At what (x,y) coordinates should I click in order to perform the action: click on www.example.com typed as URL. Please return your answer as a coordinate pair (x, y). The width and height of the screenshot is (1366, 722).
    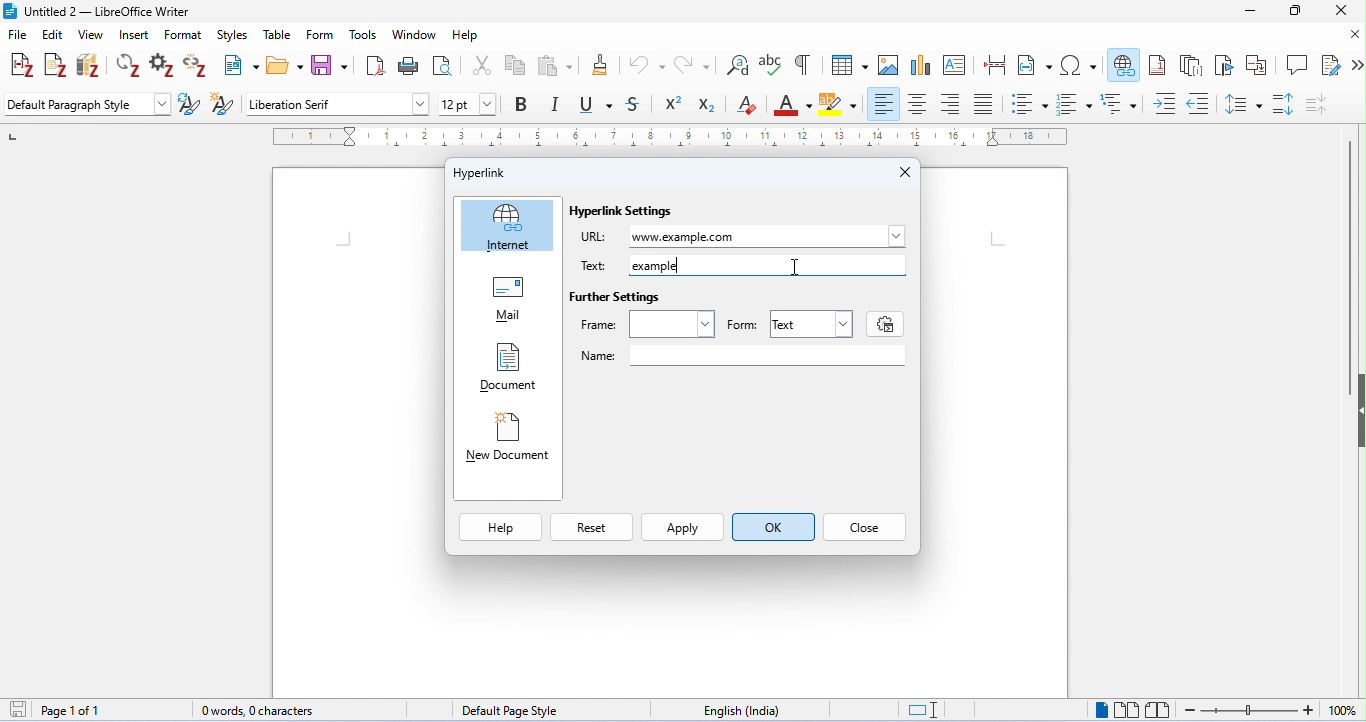
    Looking at the image, I should click on (685, 238).